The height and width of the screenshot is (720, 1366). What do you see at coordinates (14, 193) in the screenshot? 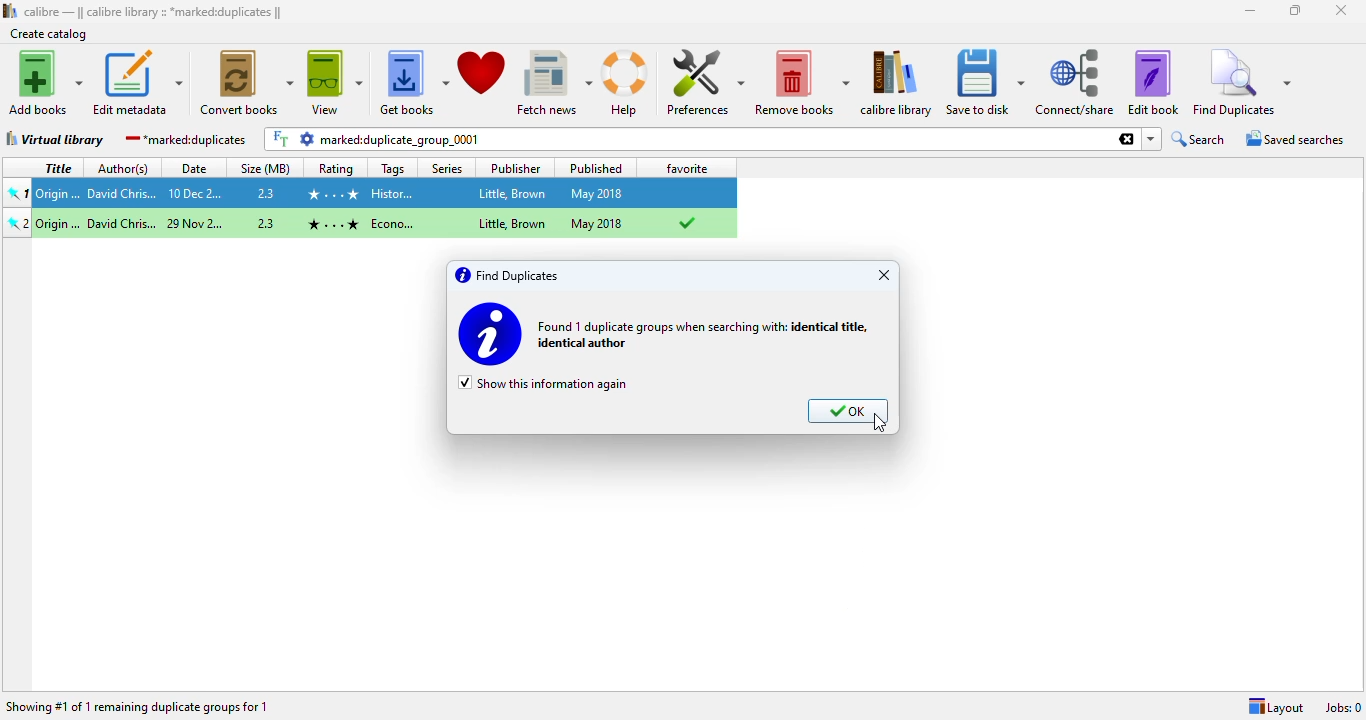
I see `pinned book 1` at bounding box center [14, 193].